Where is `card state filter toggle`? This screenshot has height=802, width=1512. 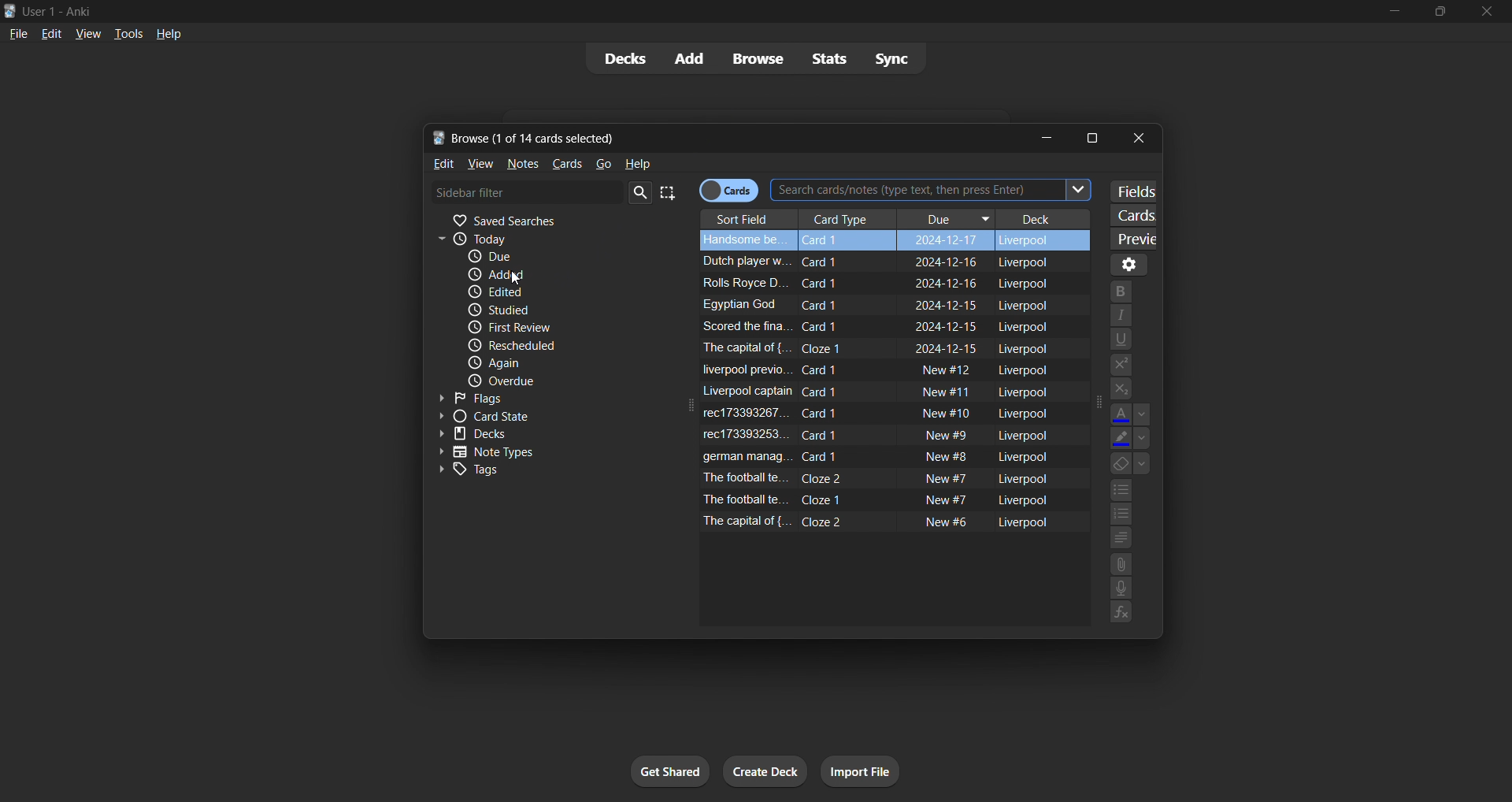
card state filter toggle is located at coordinates (537, 418).